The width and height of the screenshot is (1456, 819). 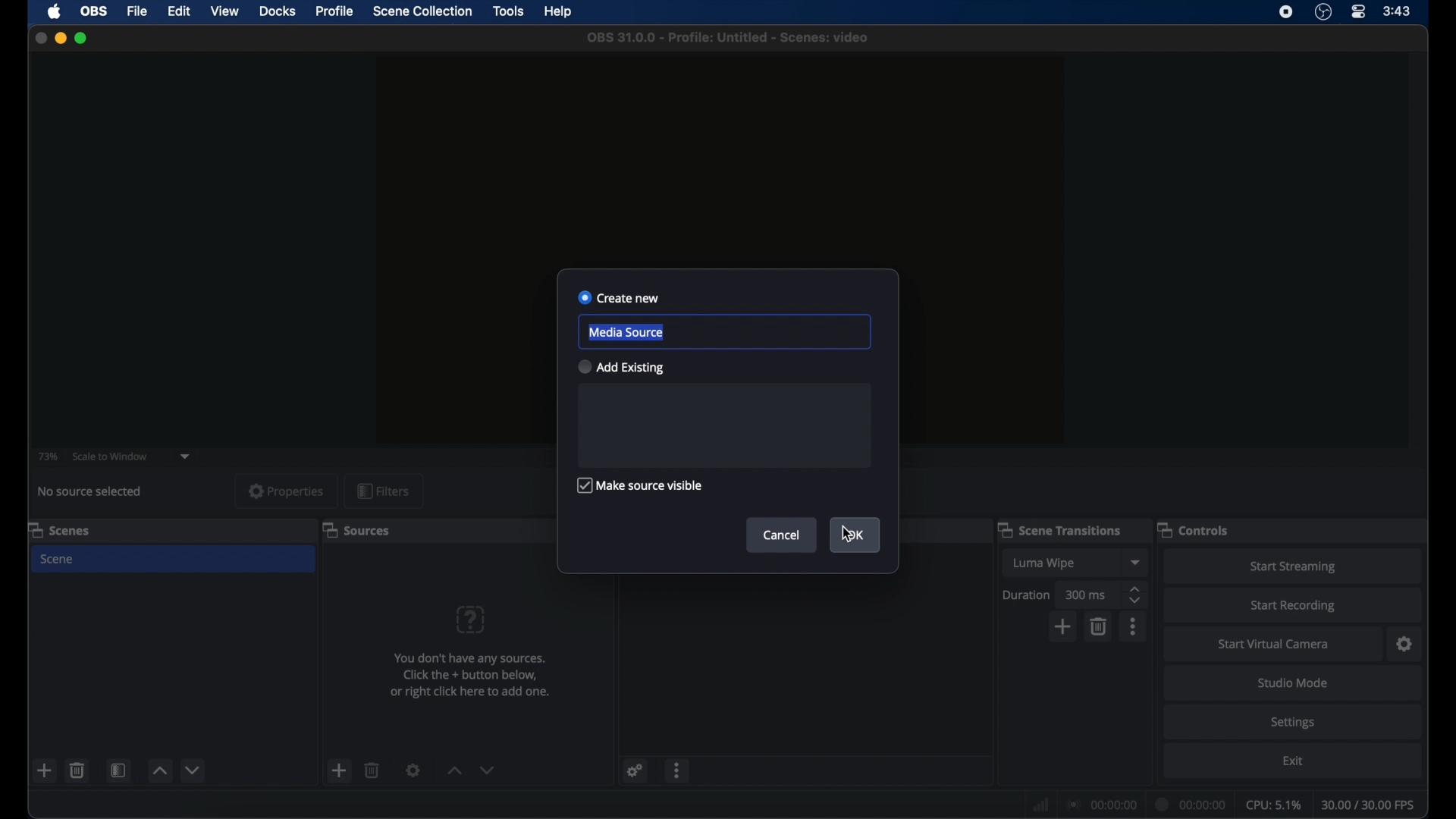 What do you see at coordinates (1193, 530) in the screenshot?
I see `controls` at bounding box center [1193, 530].